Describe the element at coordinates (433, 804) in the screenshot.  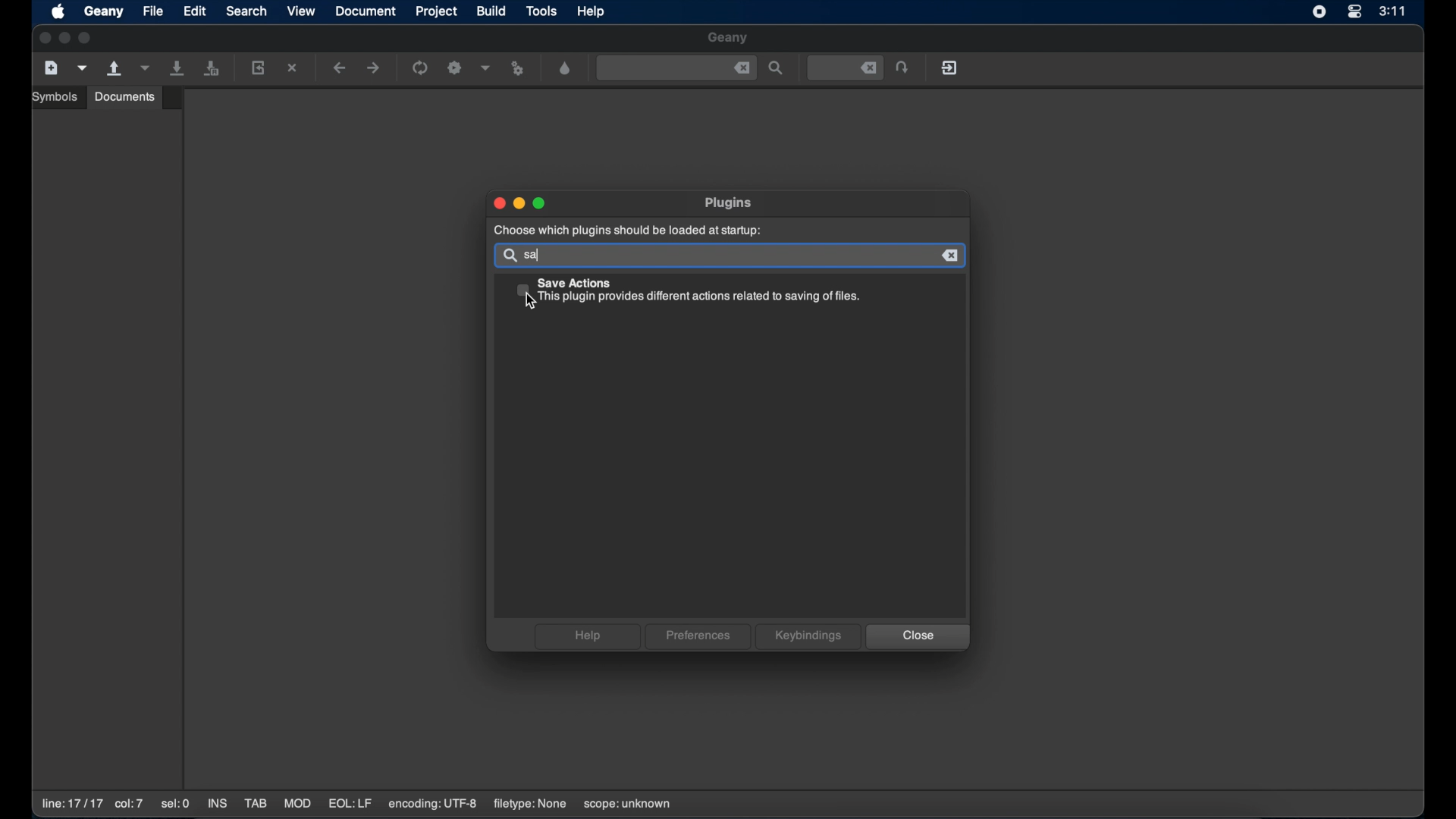
I see `encoding: UTF-8` at that location.